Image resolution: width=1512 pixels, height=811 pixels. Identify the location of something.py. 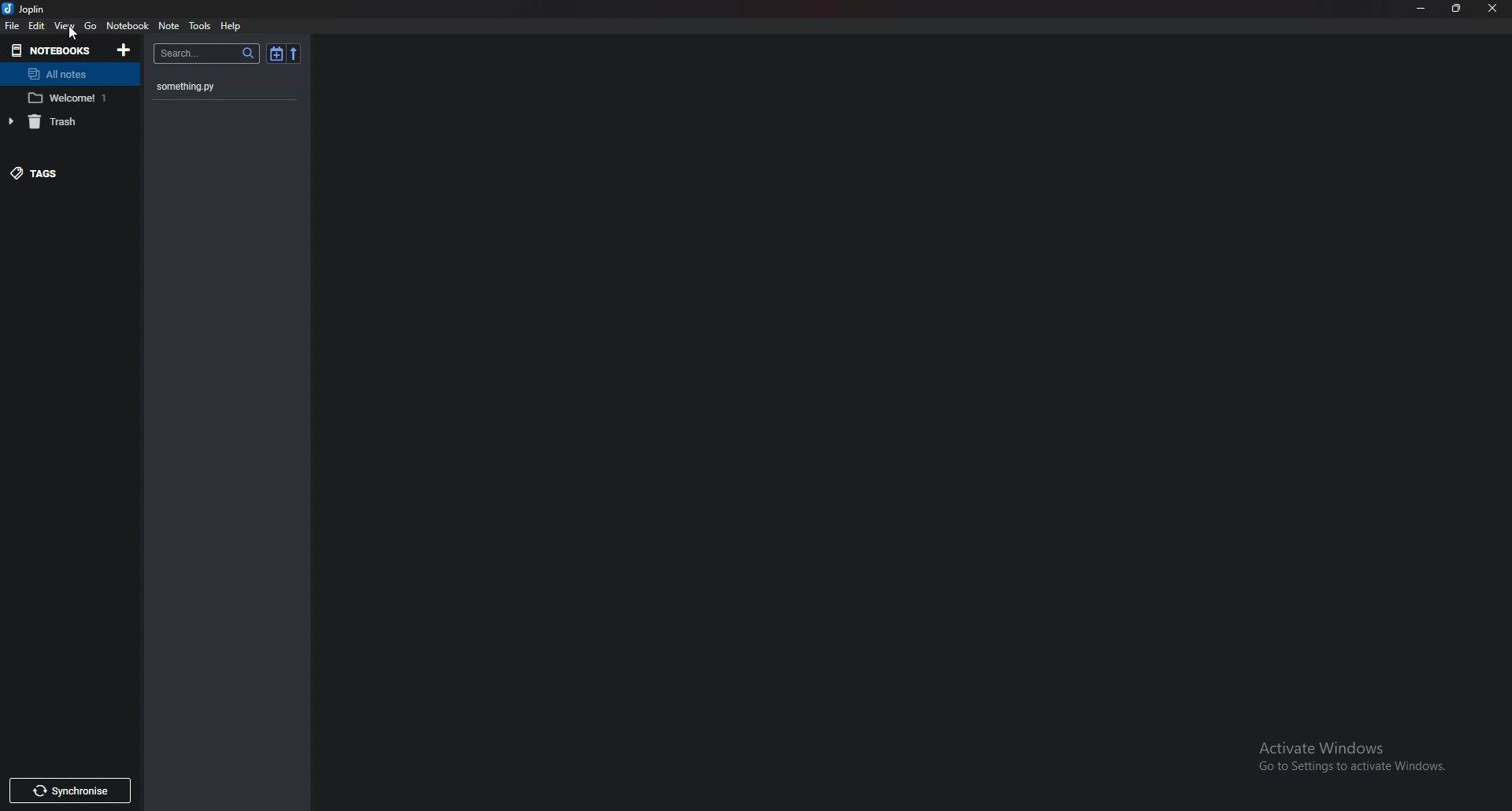
(210, 87).